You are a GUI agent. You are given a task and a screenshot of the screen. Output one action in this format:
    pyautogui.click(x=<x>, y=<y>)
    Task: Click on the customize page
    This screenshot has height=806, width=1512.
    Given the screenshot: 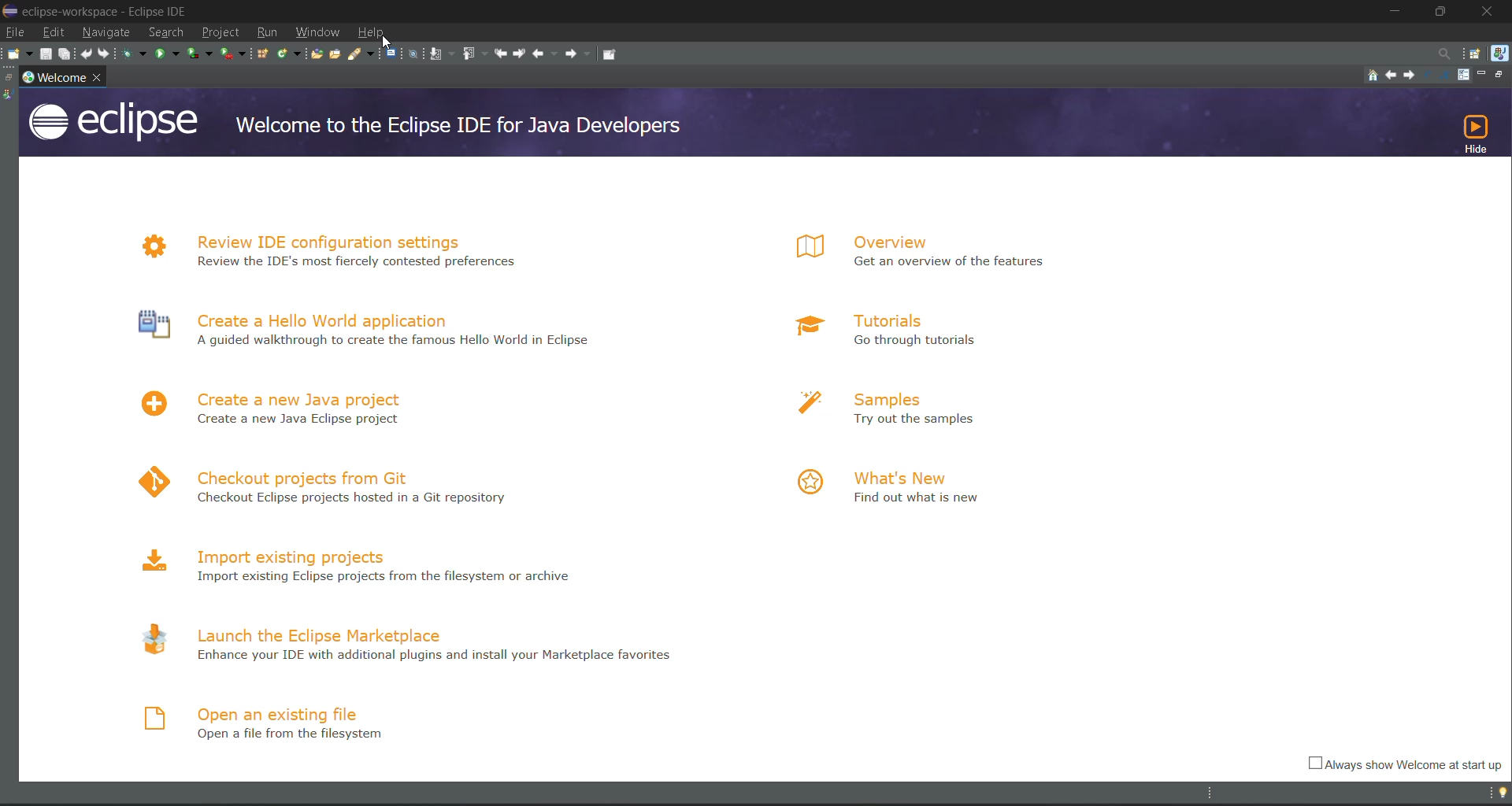 What is the action you would take?
    pyautogui.click(x=1467, y=74)
    